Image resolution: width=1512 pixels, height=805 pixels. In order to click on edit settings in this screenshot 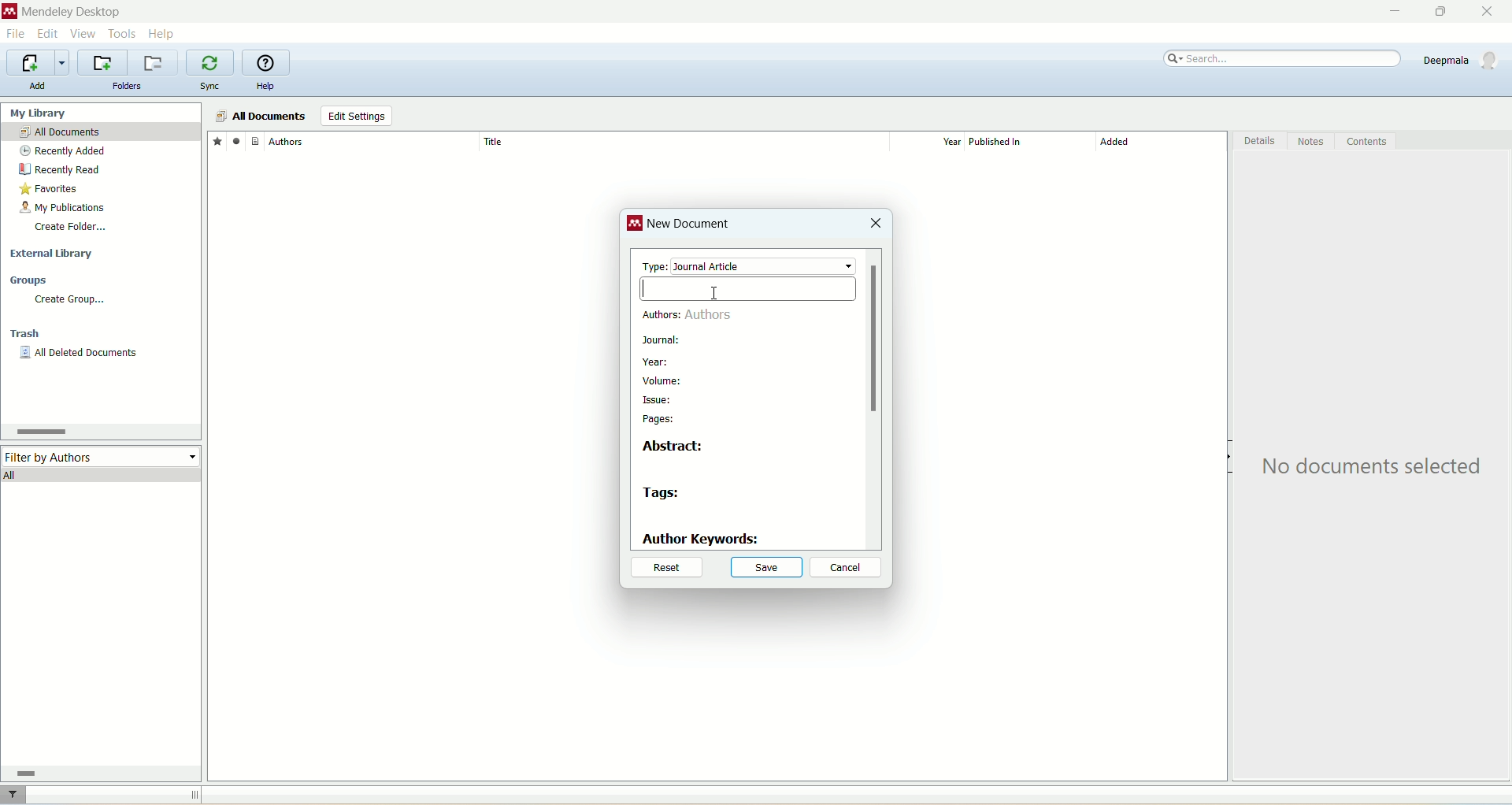, I will do `click(356, 117)`.